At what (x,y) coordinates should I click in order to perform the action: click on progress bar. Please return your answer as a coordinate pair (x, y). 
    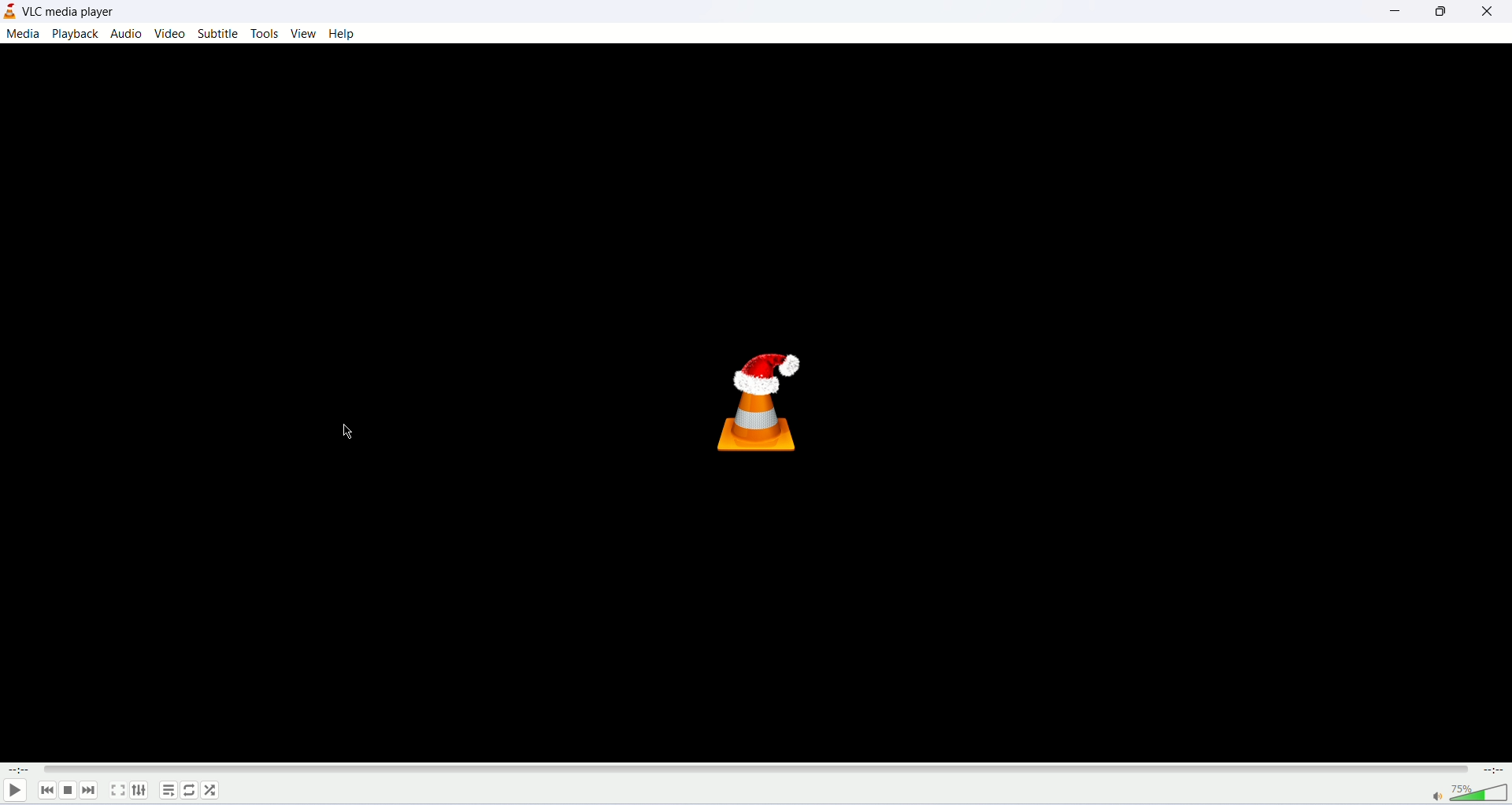
    Looking at the image, I should click on (757, 770).